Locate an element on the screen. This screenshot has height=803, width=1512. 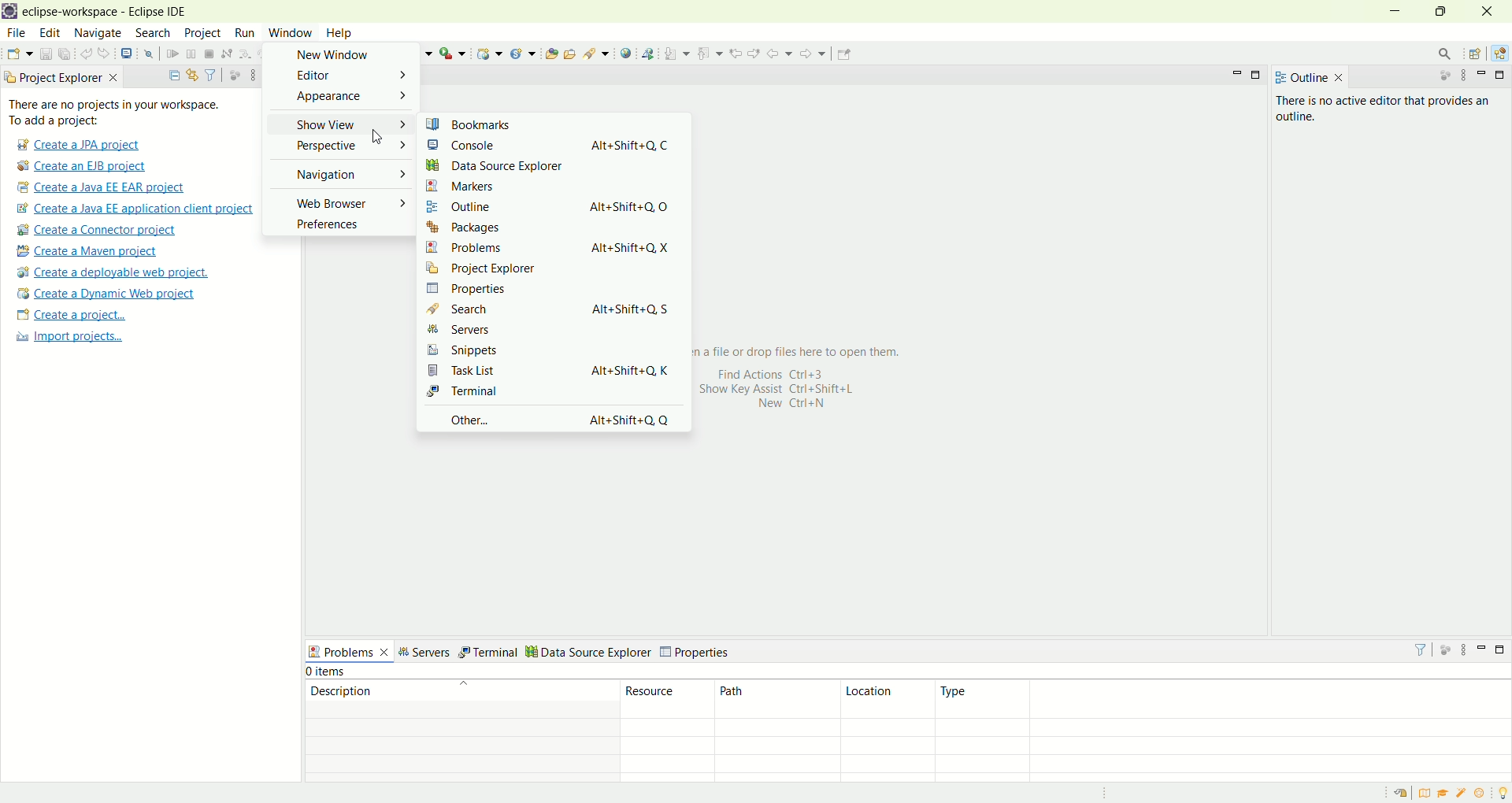
create a dynamic web project is located at coordinates (106, 294).